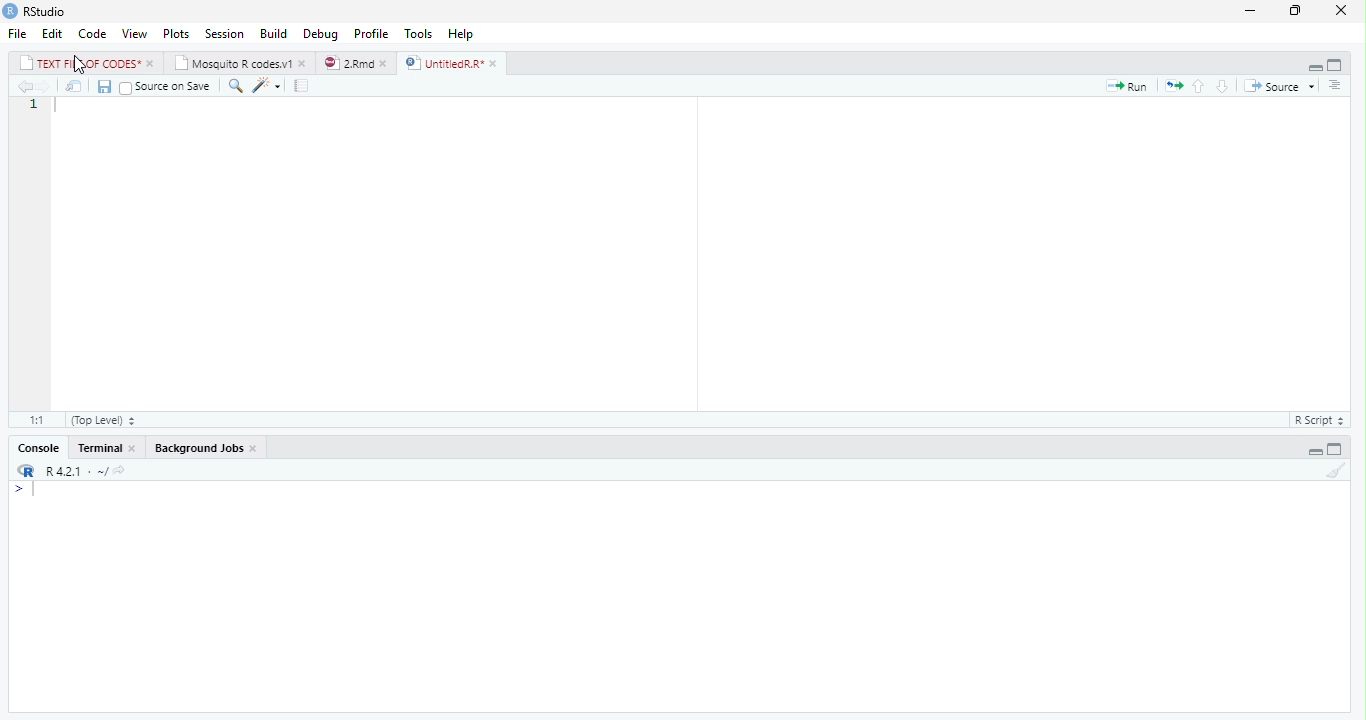  Describe the element at coordinates (33, 420) in the screenshot. I see `1:1` at that location.